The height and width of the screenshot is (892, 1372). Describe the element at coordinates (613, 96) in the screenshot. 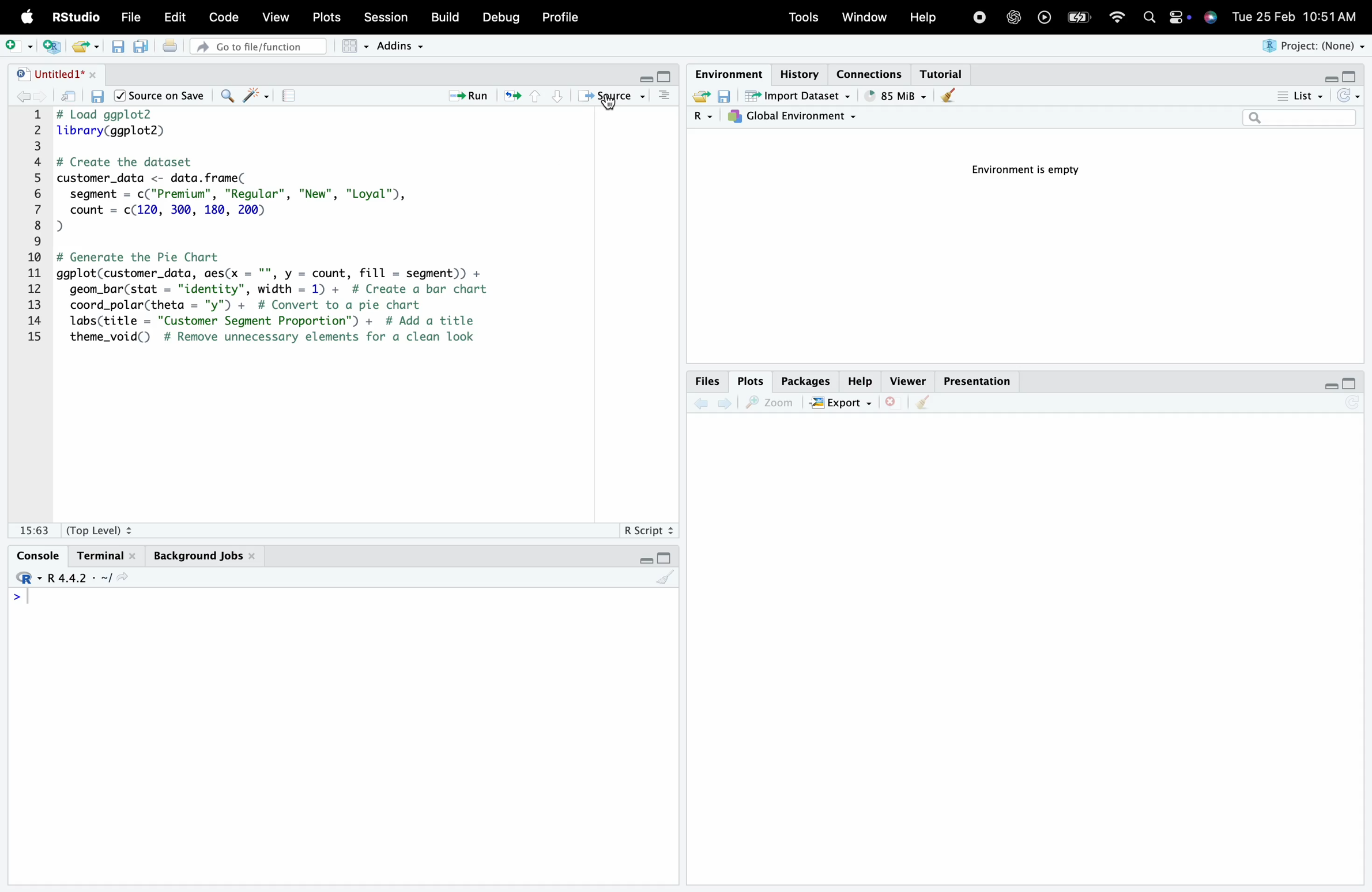

I see `+ Source ~` at that location.